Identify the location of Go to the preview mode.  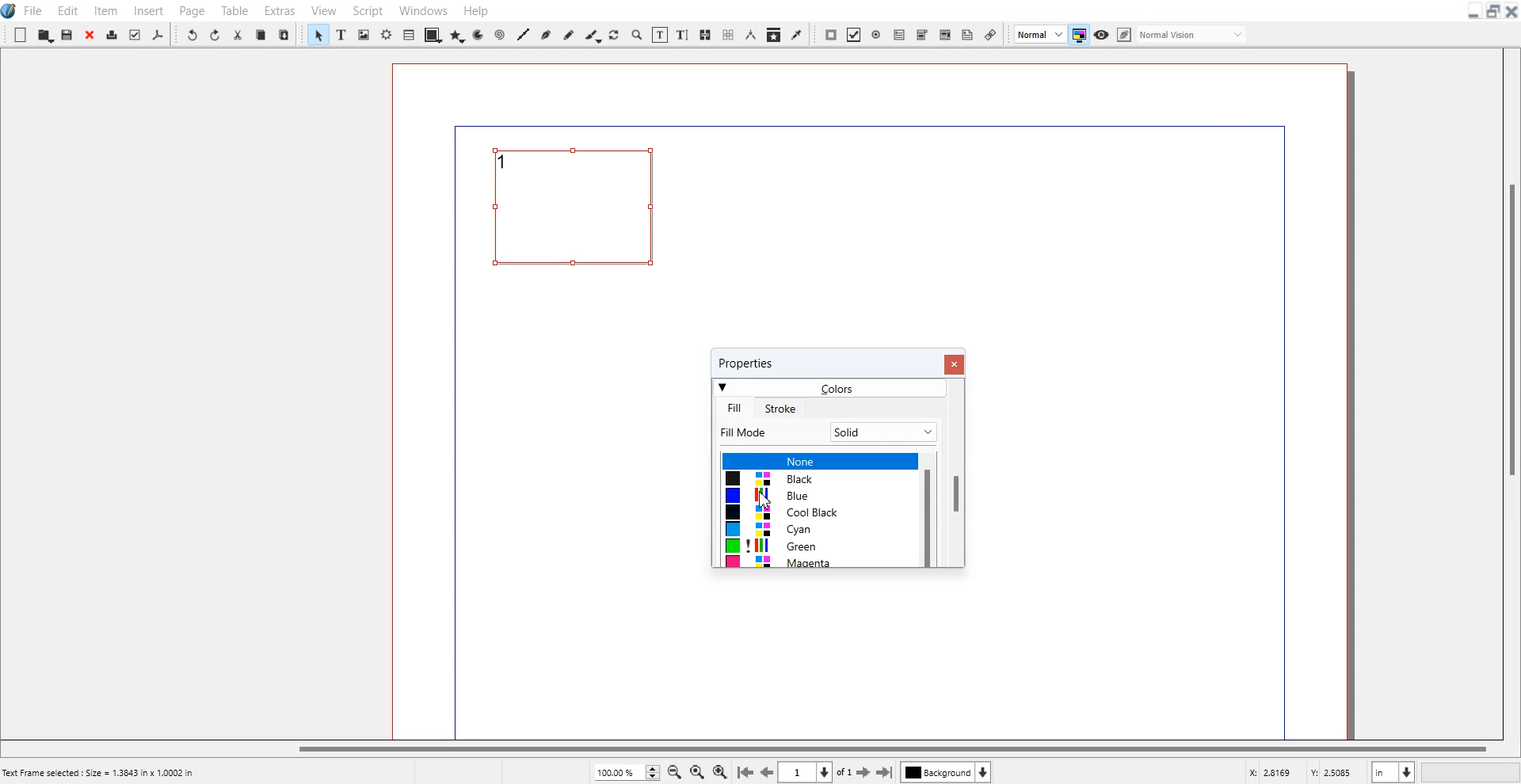
(768, 772).